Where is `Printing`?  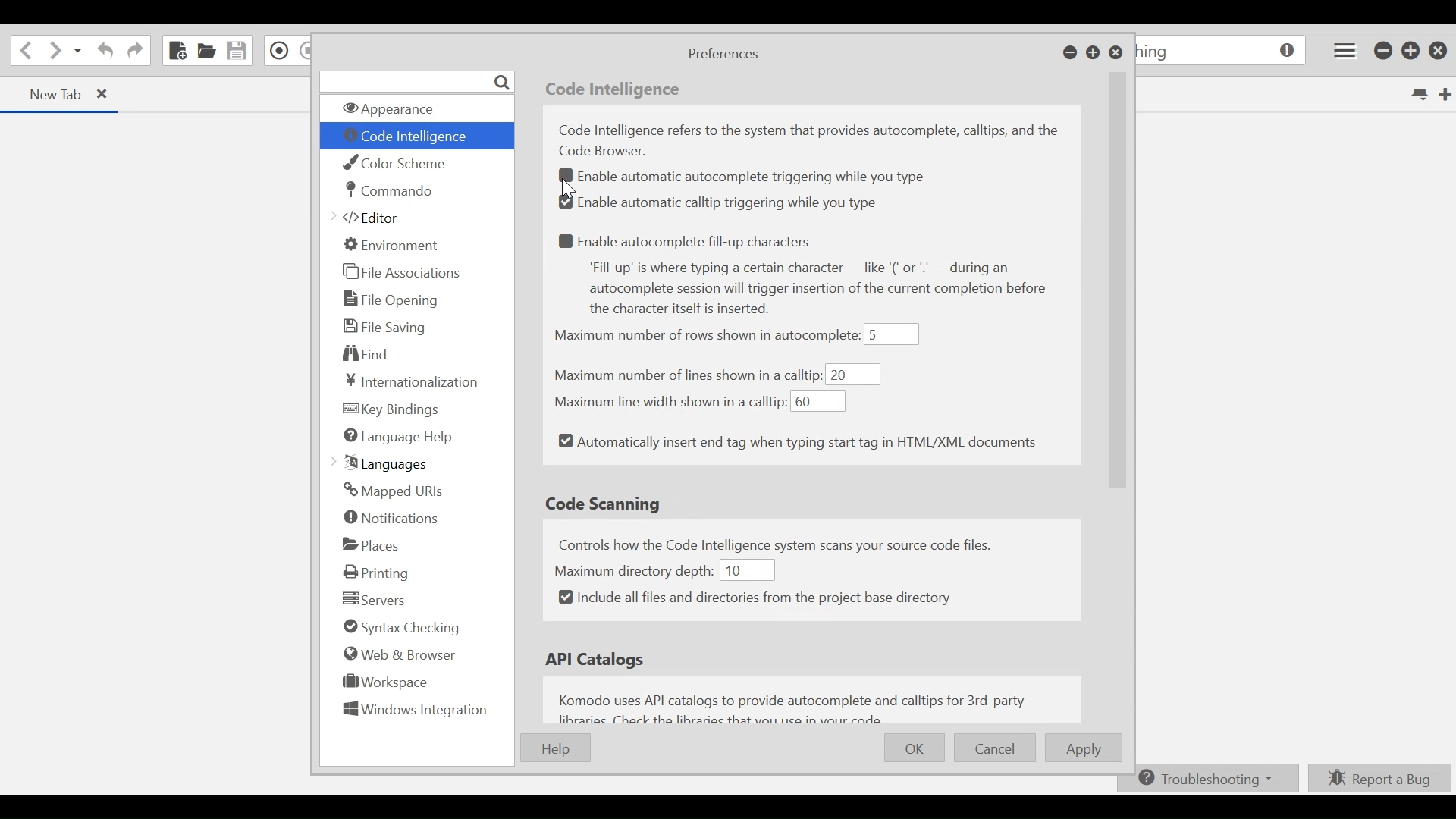 Printing is located at coordinates (381, 572).